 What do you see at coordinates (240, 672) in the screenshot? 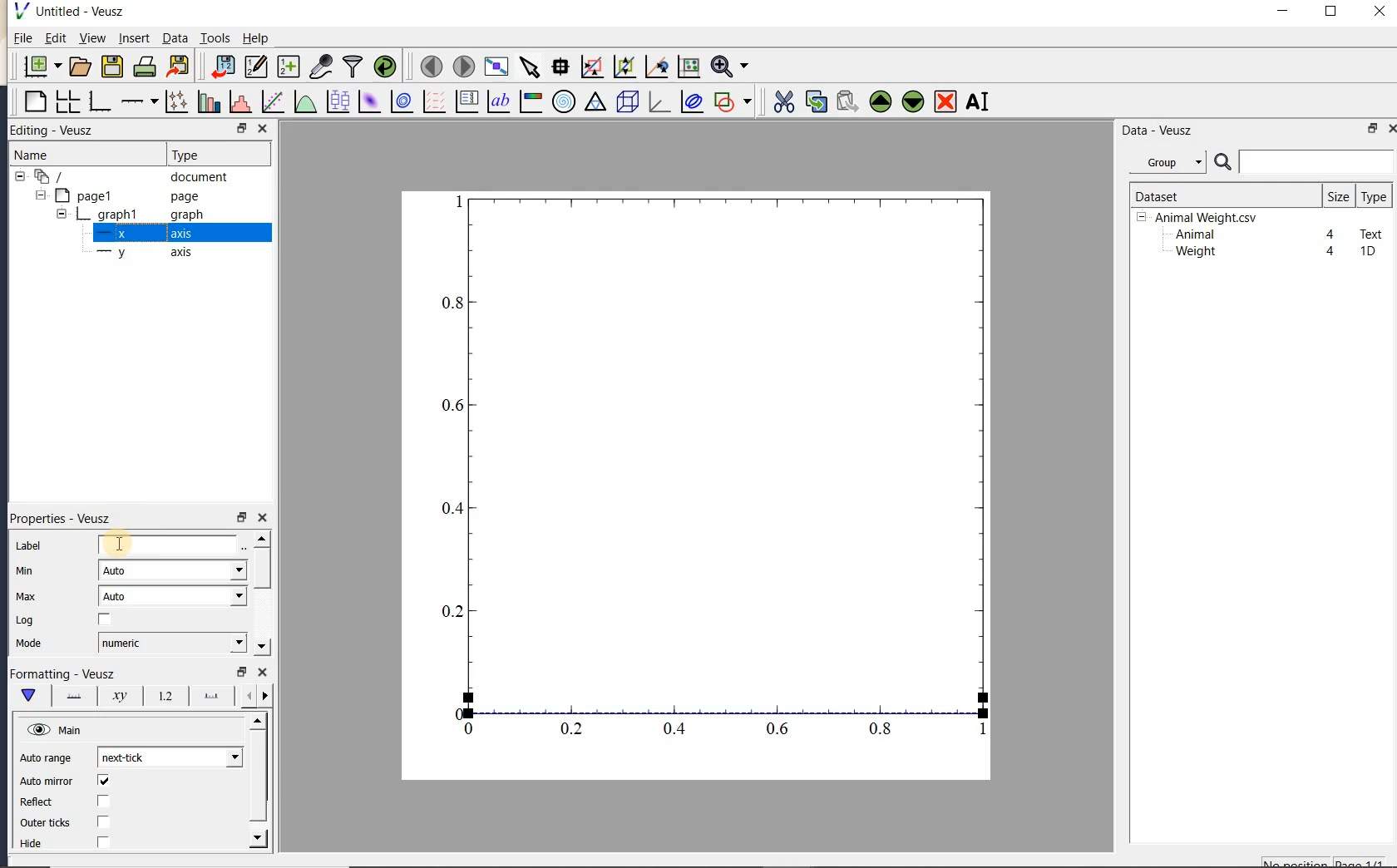
I see `restore` at bounding box center [240, 672].